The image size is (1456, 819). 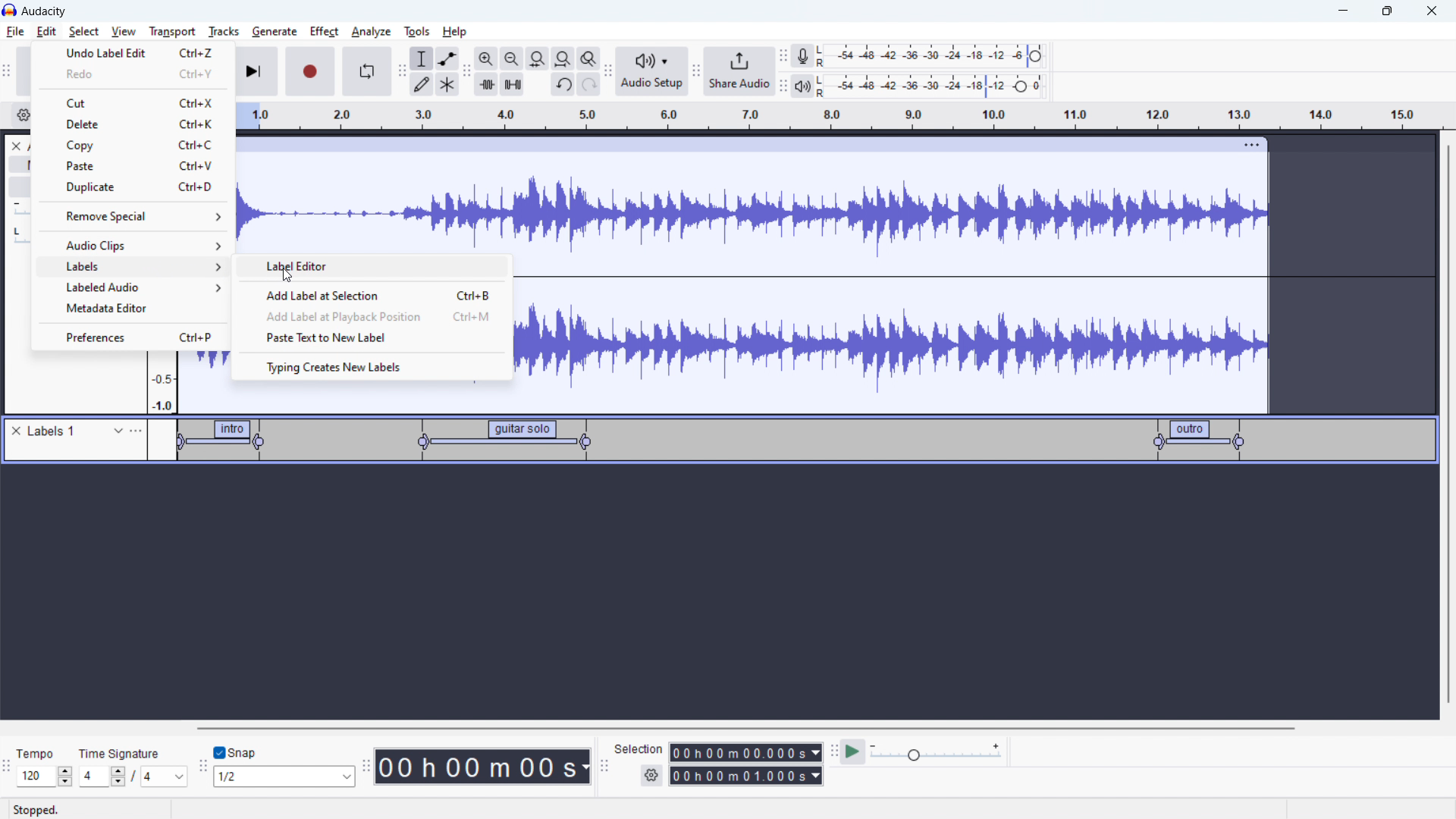 What do you see at coordinates (136, 55) in the screenshot?
I see `Undo Label Edit Ctrl+Z` at bounding box center [136, 55].